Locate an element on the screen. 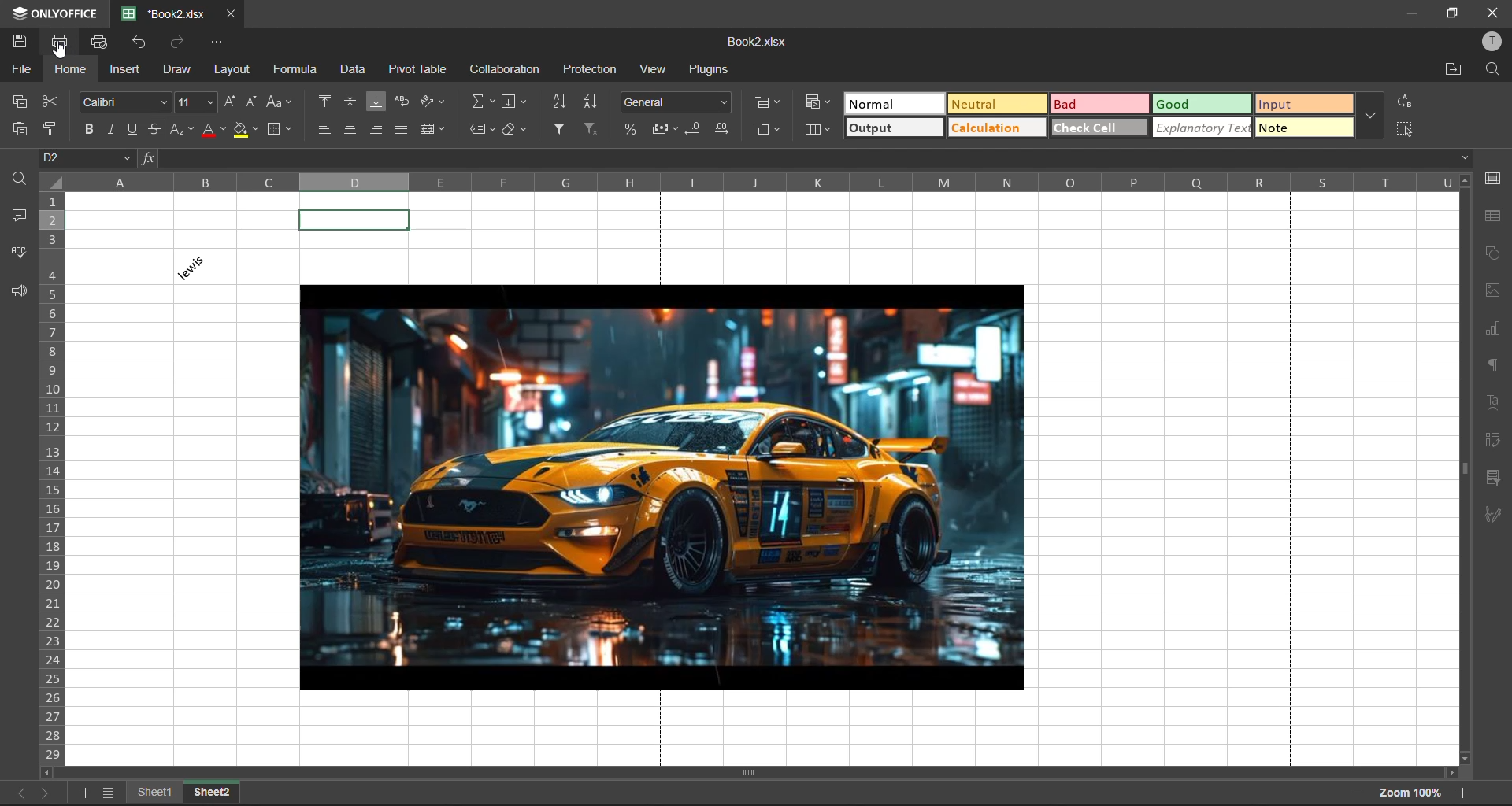 Image resolution: width=1512 pixels, height=806 pixels. slicer is located at coordinates (1493, 478).